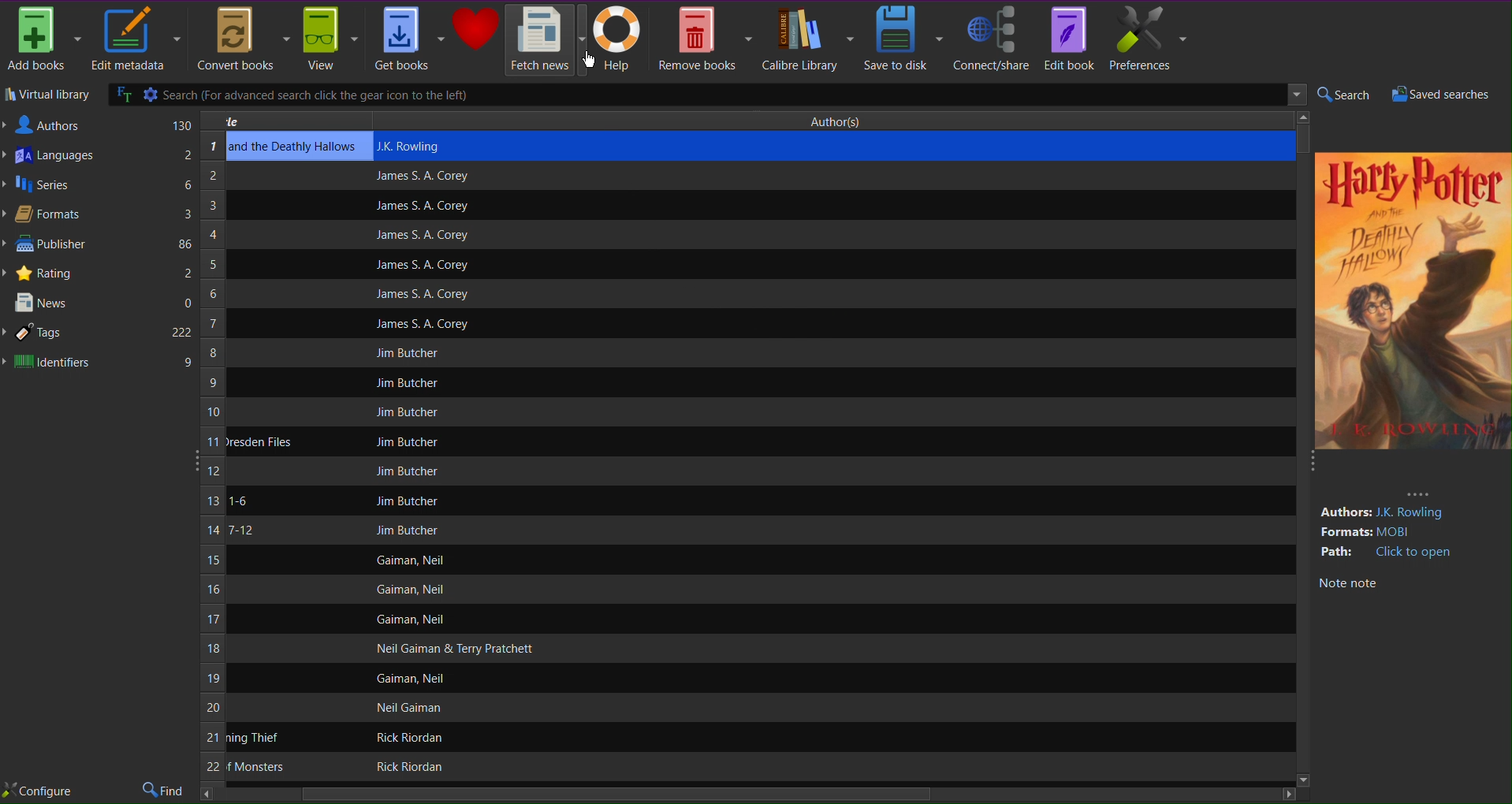  I want to click on James S. A. Corey, so click(420, 266).